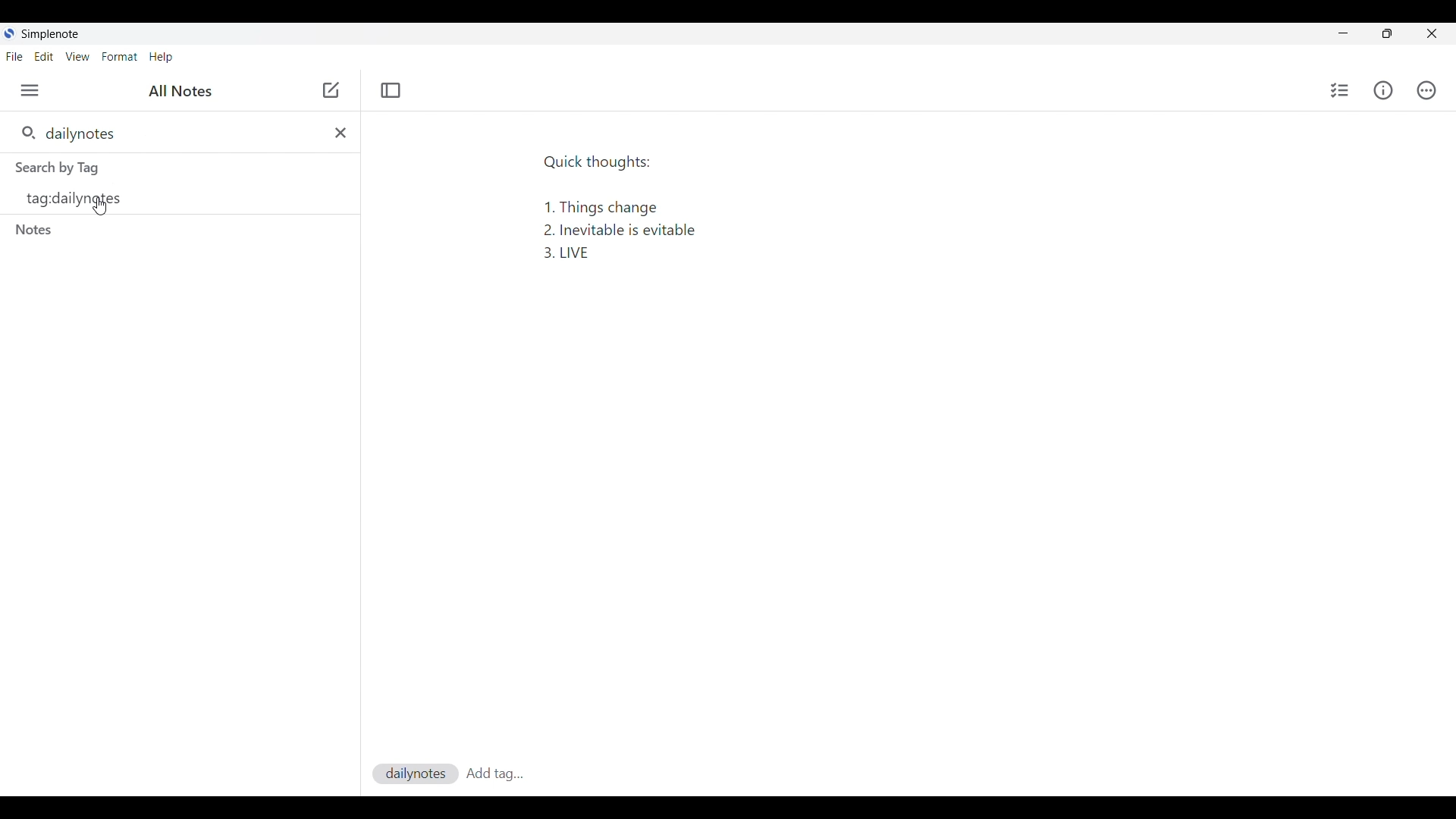 The width and height of the screenshot is (1456, 819). I want to click on Menu, so click(30, 90).